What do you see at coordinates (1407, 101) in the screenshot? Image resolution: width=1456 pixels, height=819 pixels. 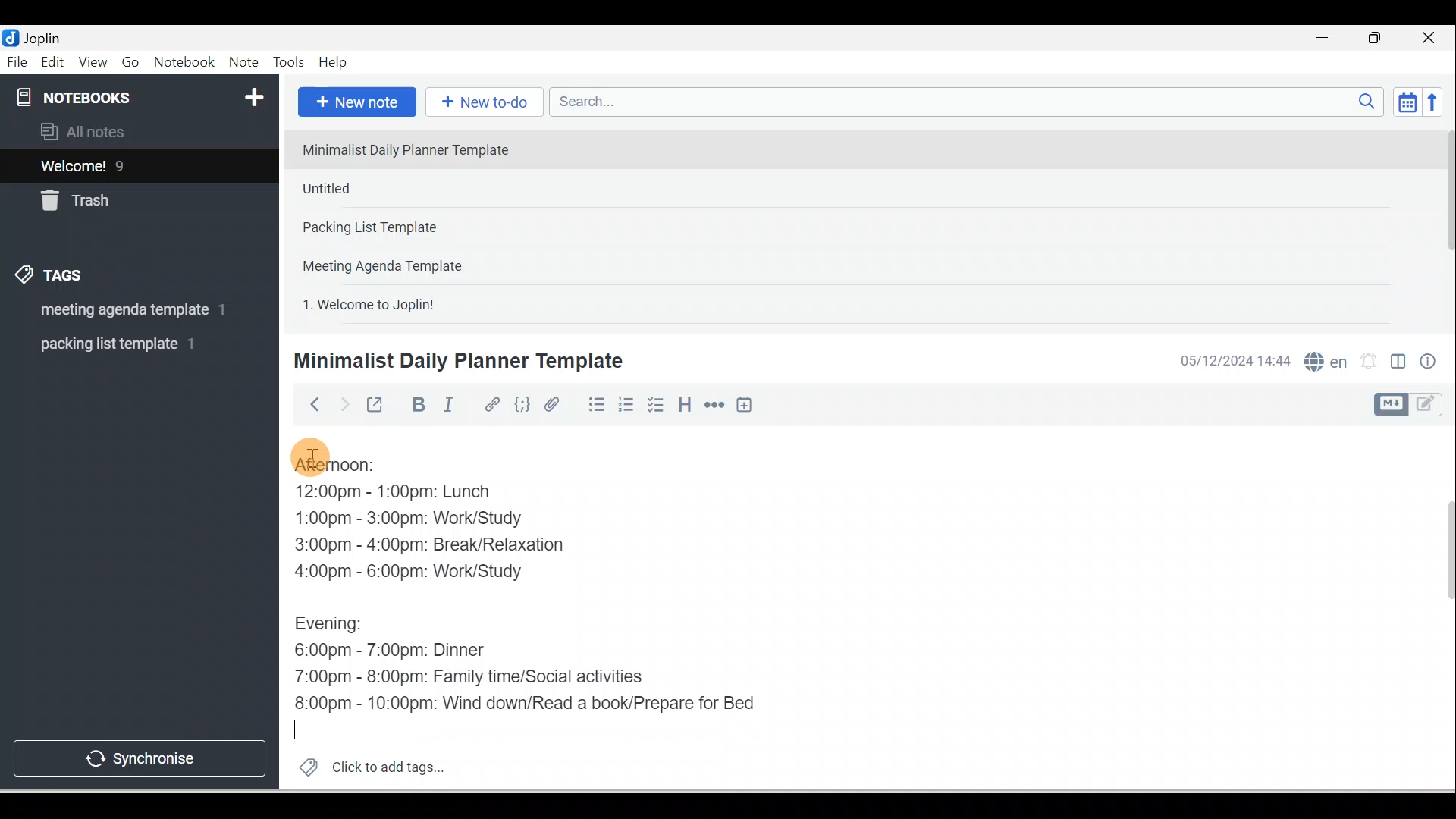 I see `Toggle sort order` at bounding box center [1407, 101].